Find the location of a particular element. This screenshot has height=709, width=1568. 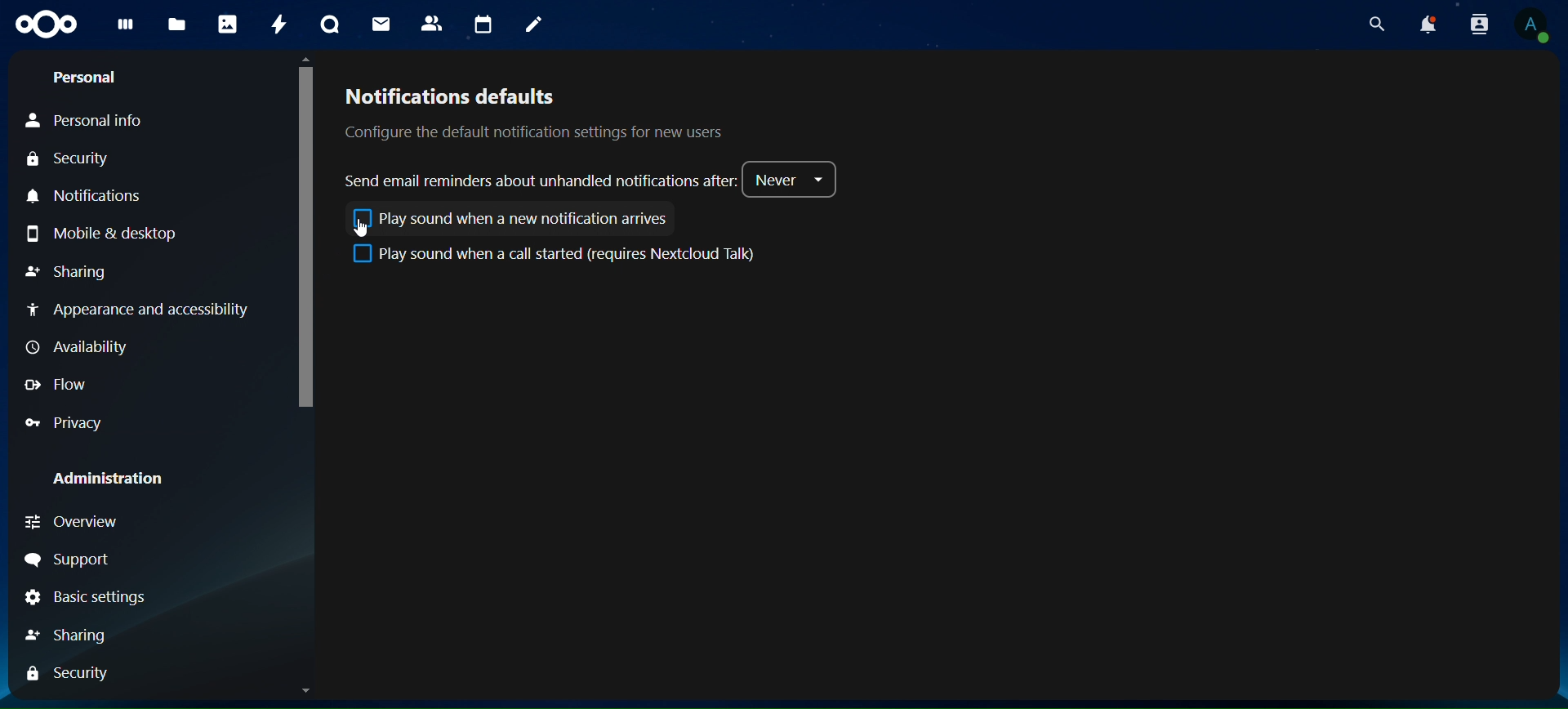

activity is located at coordinates (275, 24).